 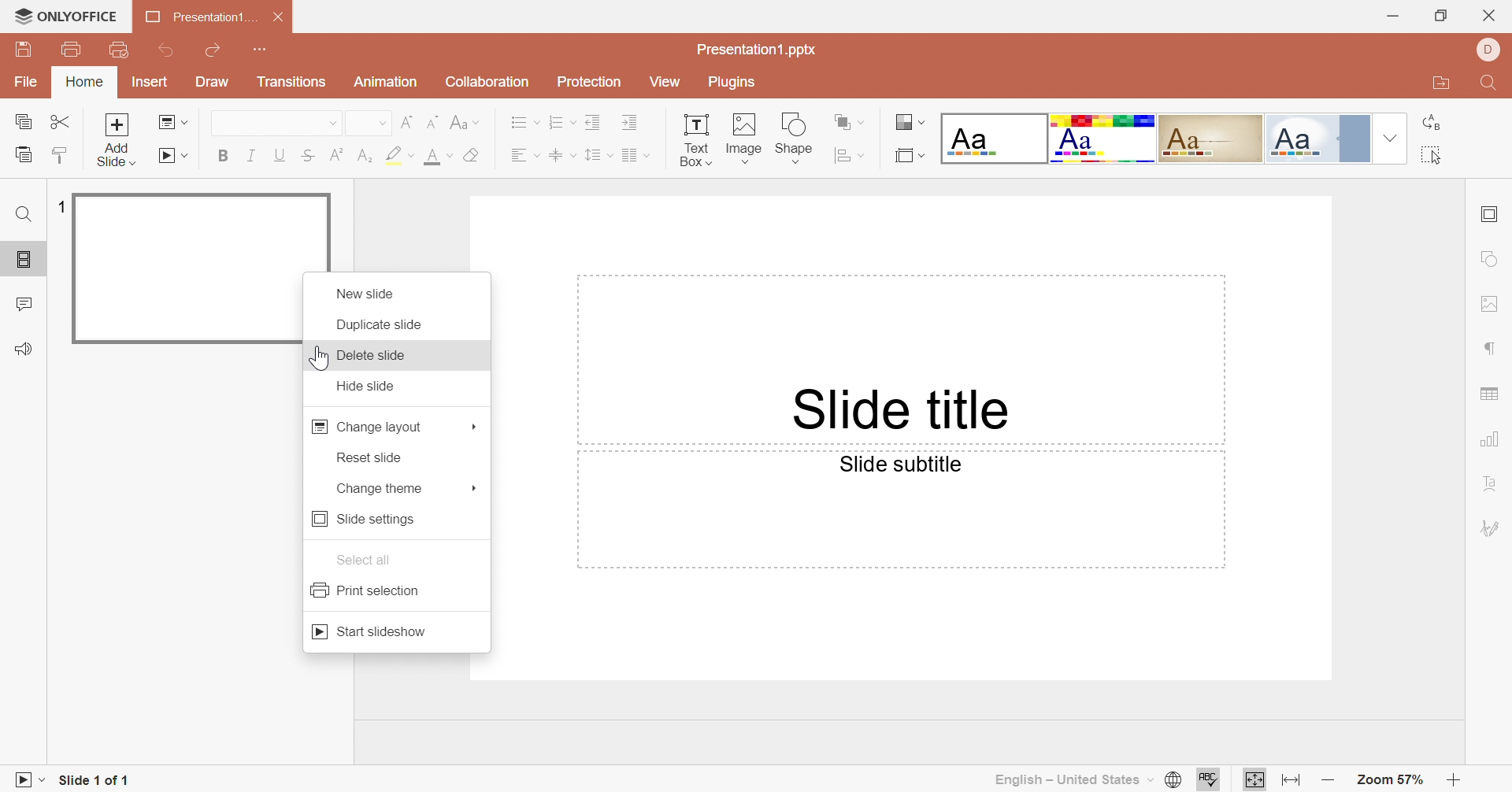 I want to click on Arrange shape, so click(x=844, y=123).